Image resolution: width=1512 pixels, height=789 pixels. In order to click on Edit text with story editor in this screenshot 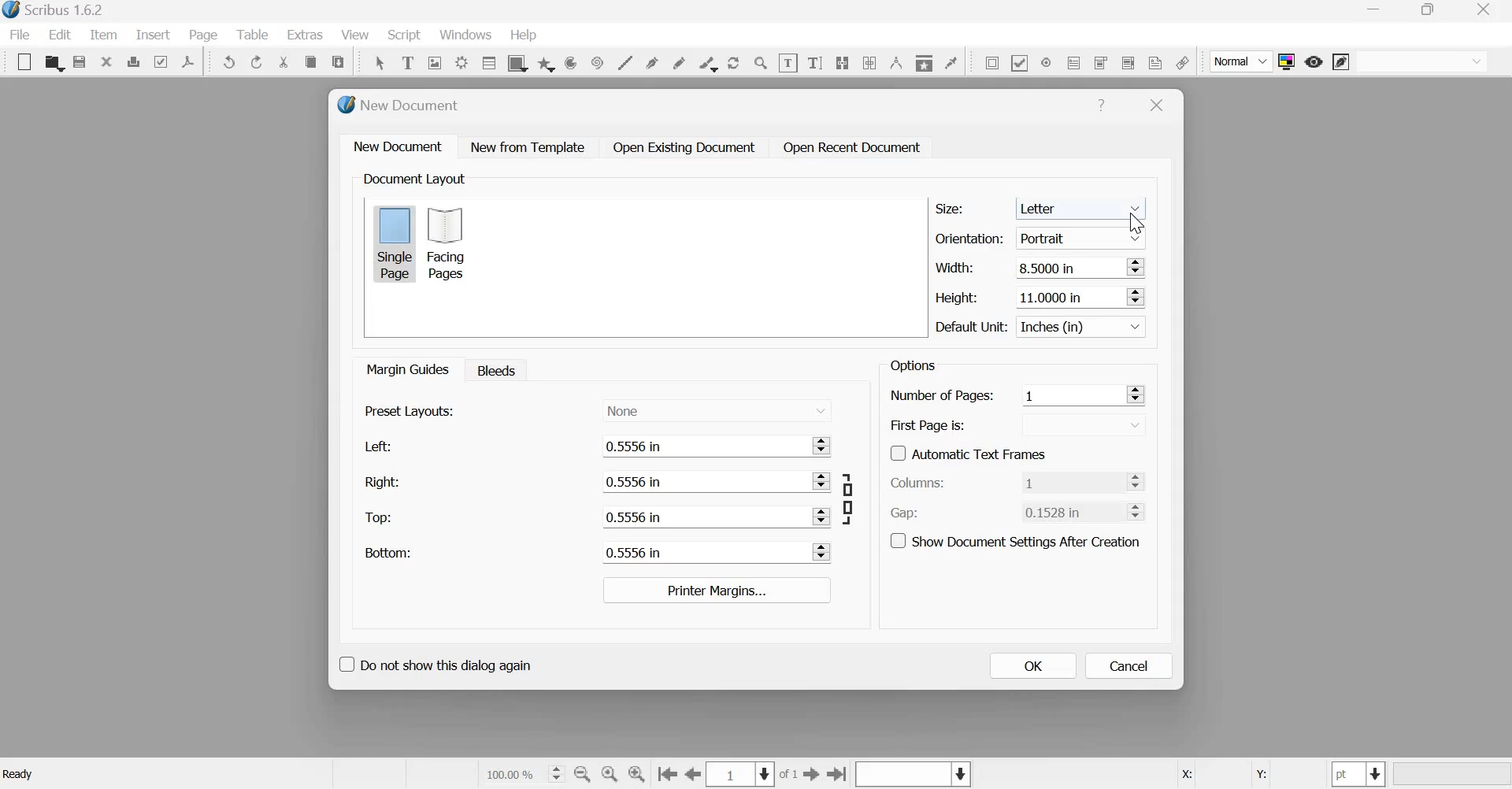, I will do `click(815, 61)`.